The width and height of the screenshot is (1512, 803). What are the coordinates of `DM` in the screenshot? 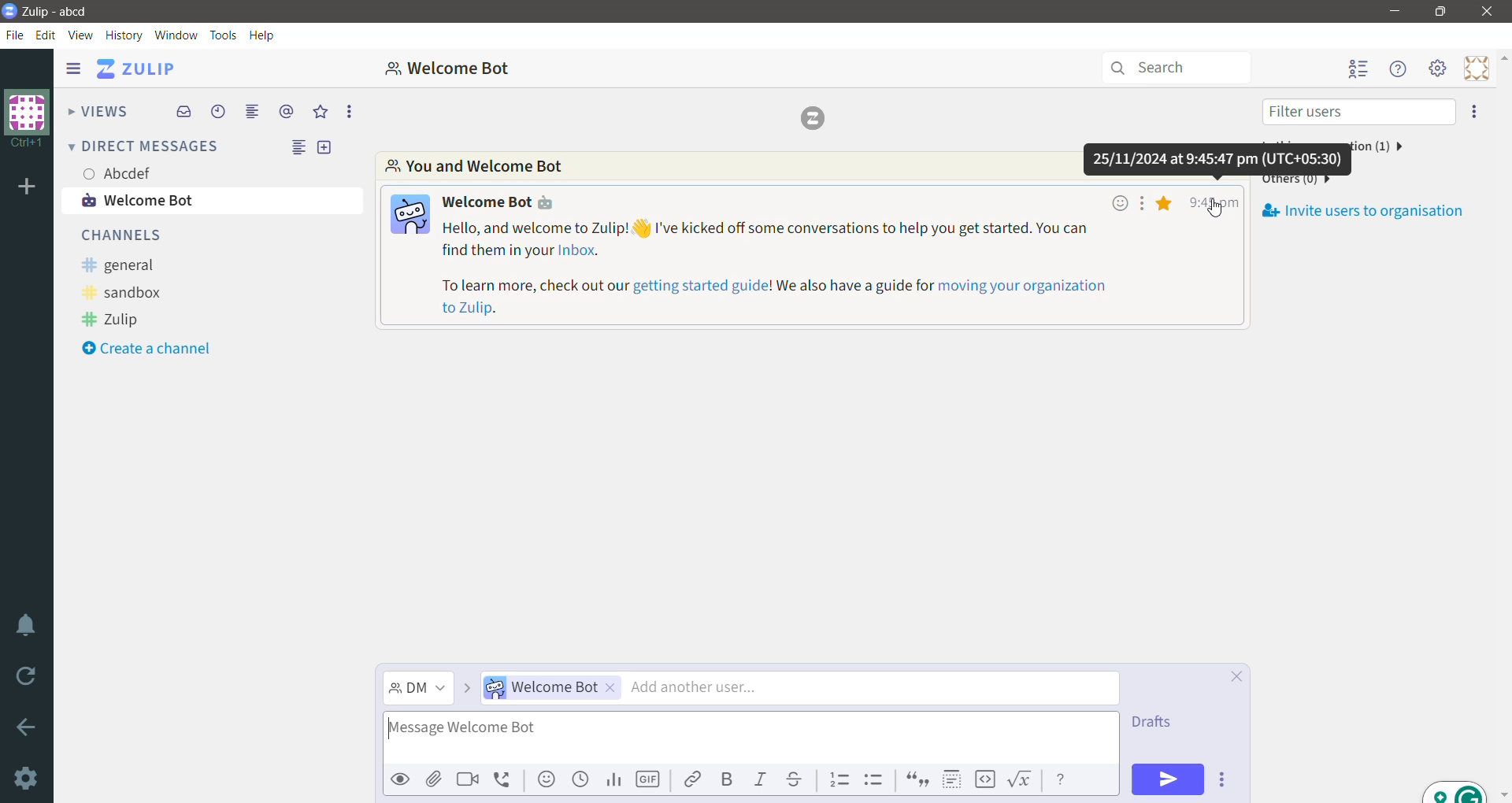 It's located at (418, 690).